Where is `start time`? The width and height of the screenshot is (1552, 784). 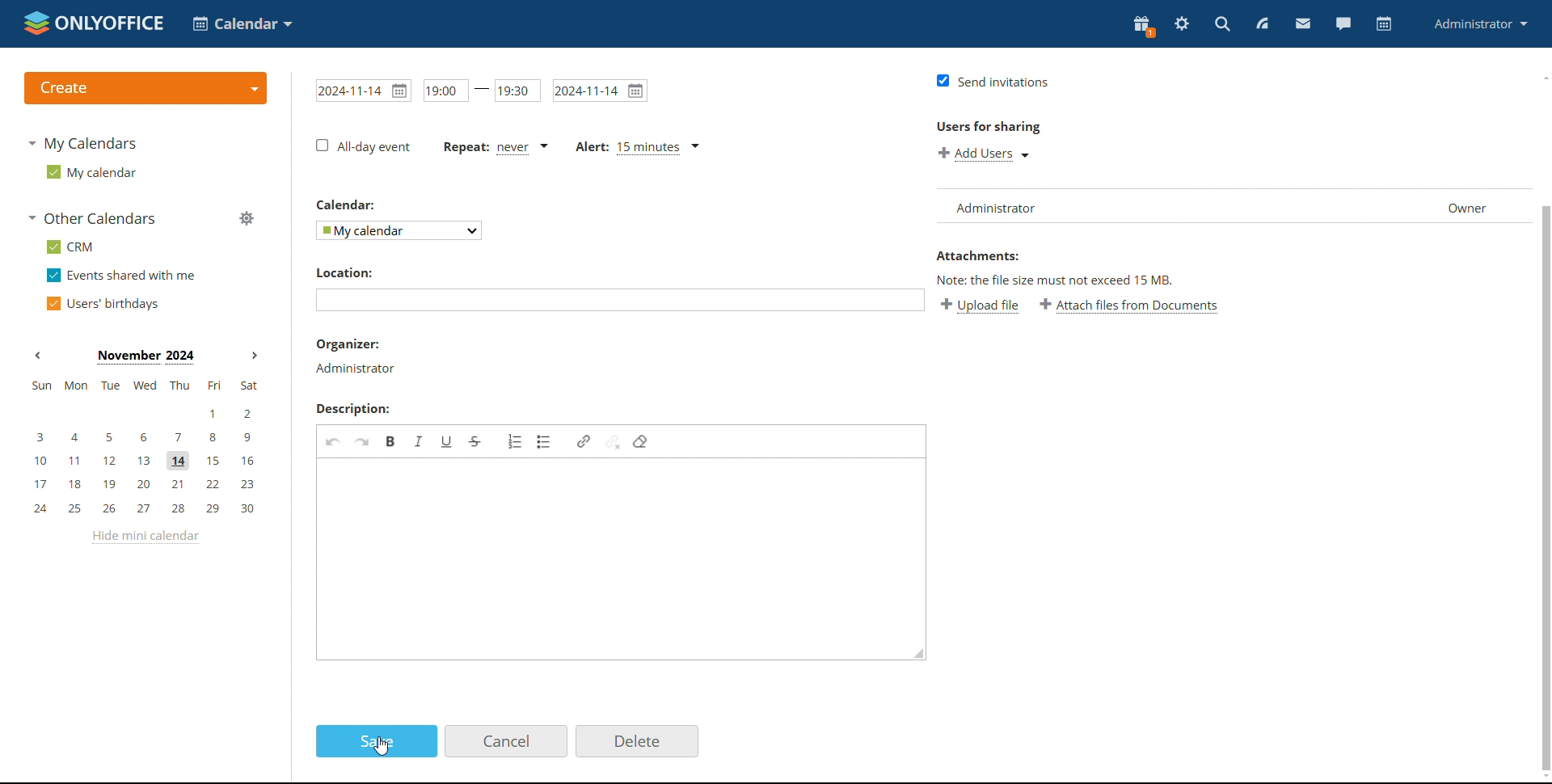 start time is located at coordinates (444, 91).